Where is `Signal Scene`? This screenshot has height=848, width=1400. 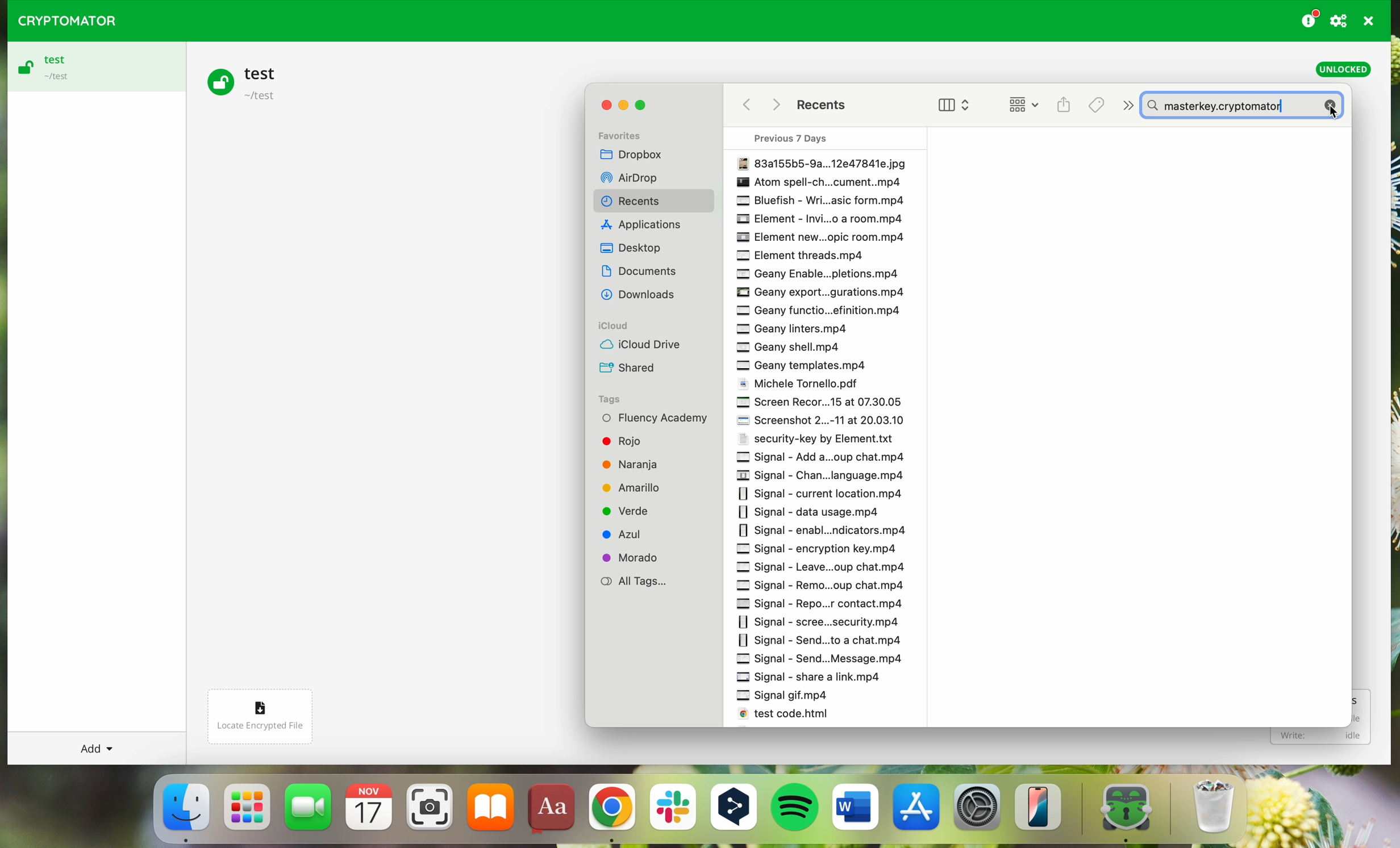
Signal Scene is located at coordinates (820, 620).